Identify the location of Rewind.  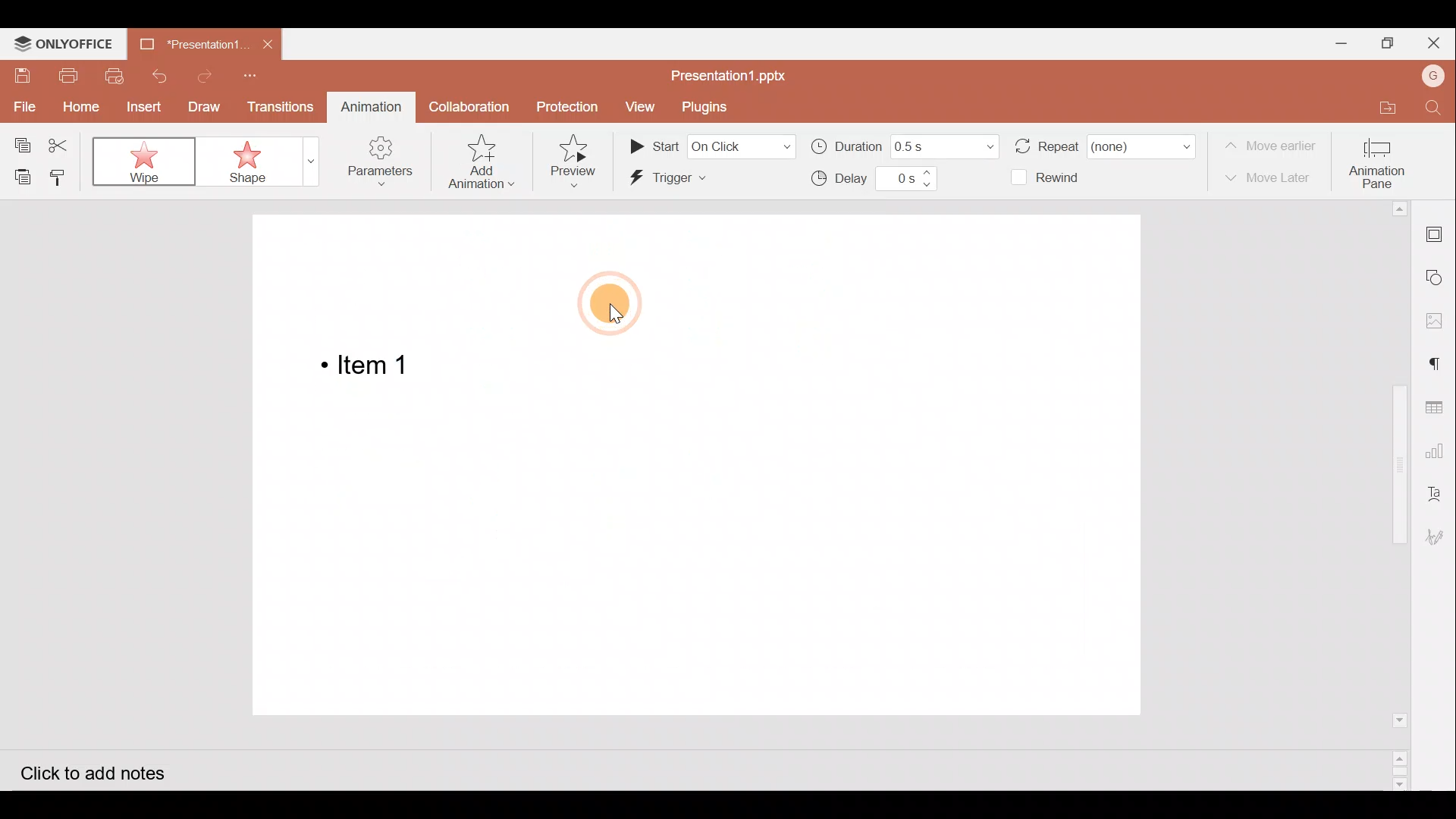
(1050, 178).